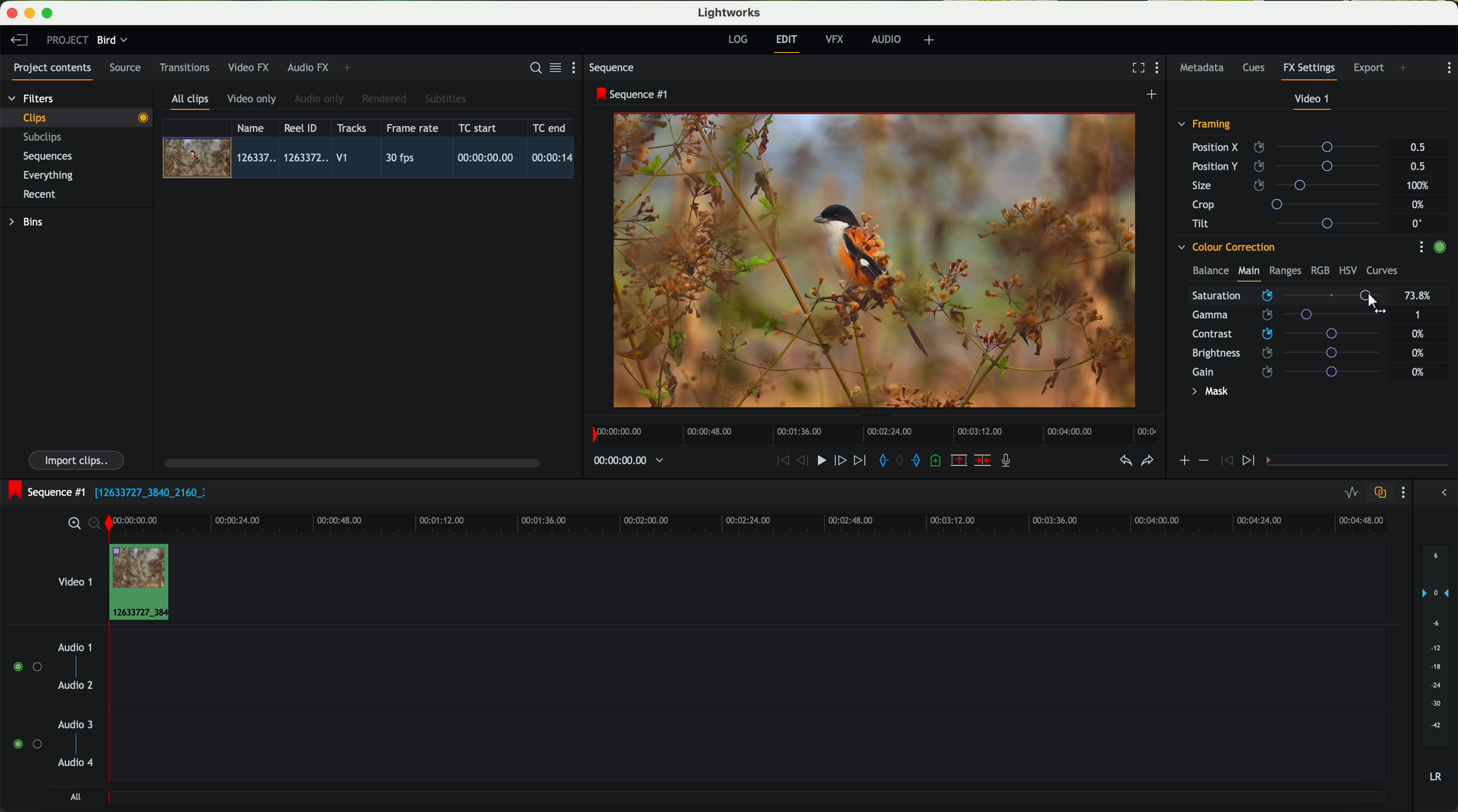  What do you see at coordinates (1439, 248) in the screenshot?
I see `enable` at bounding box center [1439, 248].